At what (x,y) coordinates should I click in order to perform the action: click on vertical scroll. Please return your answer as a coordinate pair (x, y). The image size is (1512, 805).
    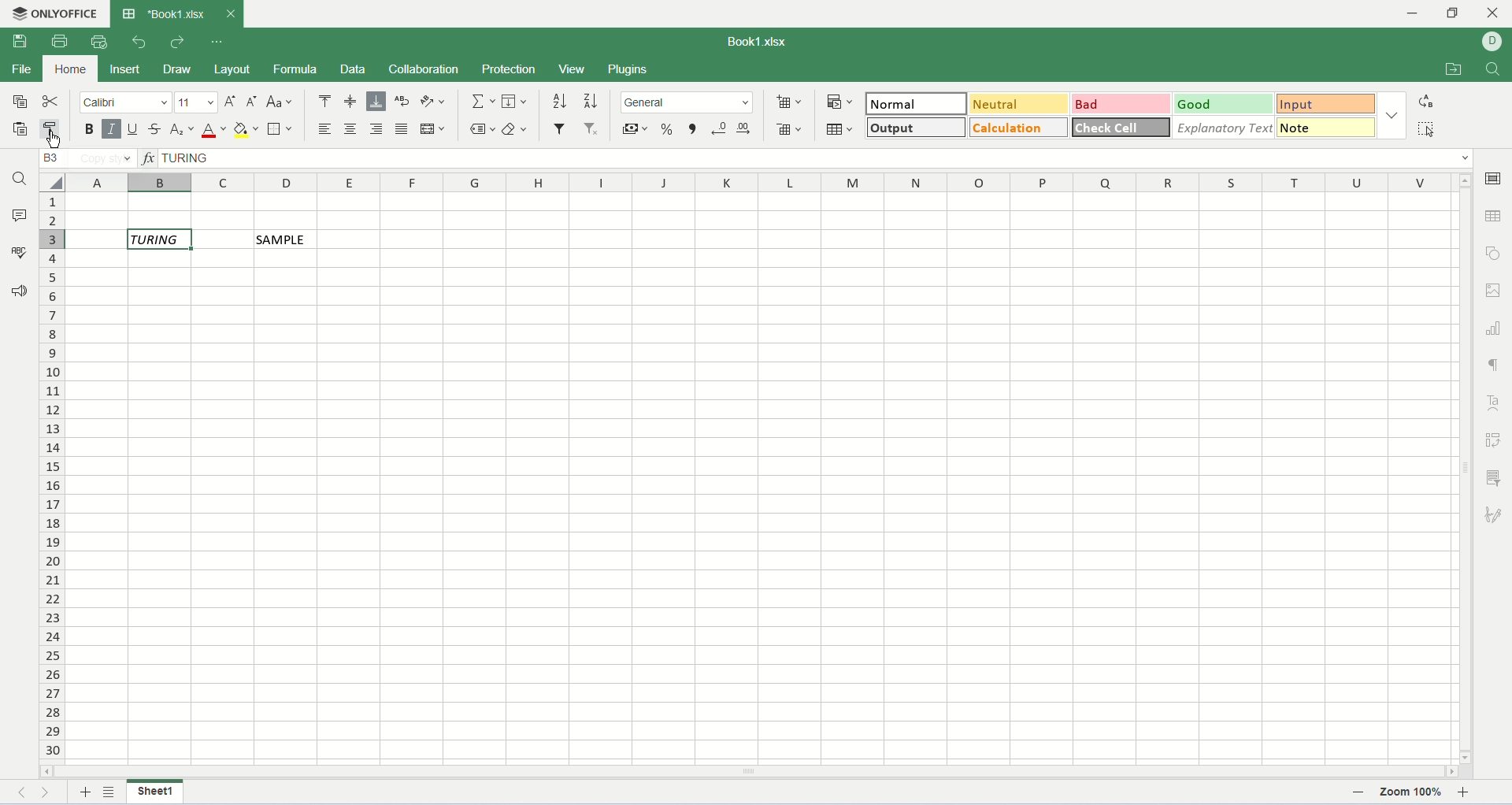
    Looking at the image, I should click on (1466, 469).